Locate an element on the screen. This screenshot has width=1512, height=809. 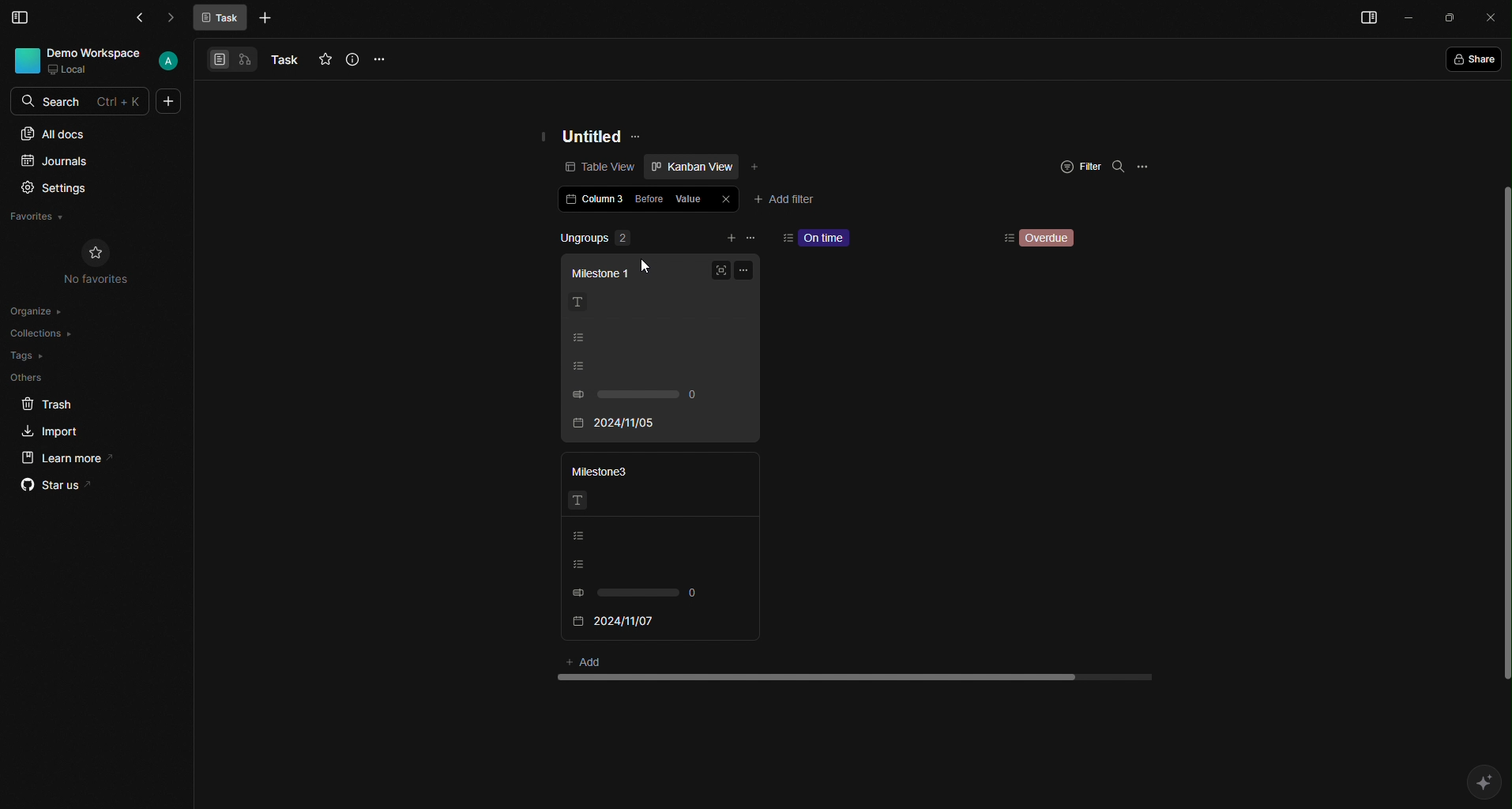
Text is located at coordinates (591, 303).